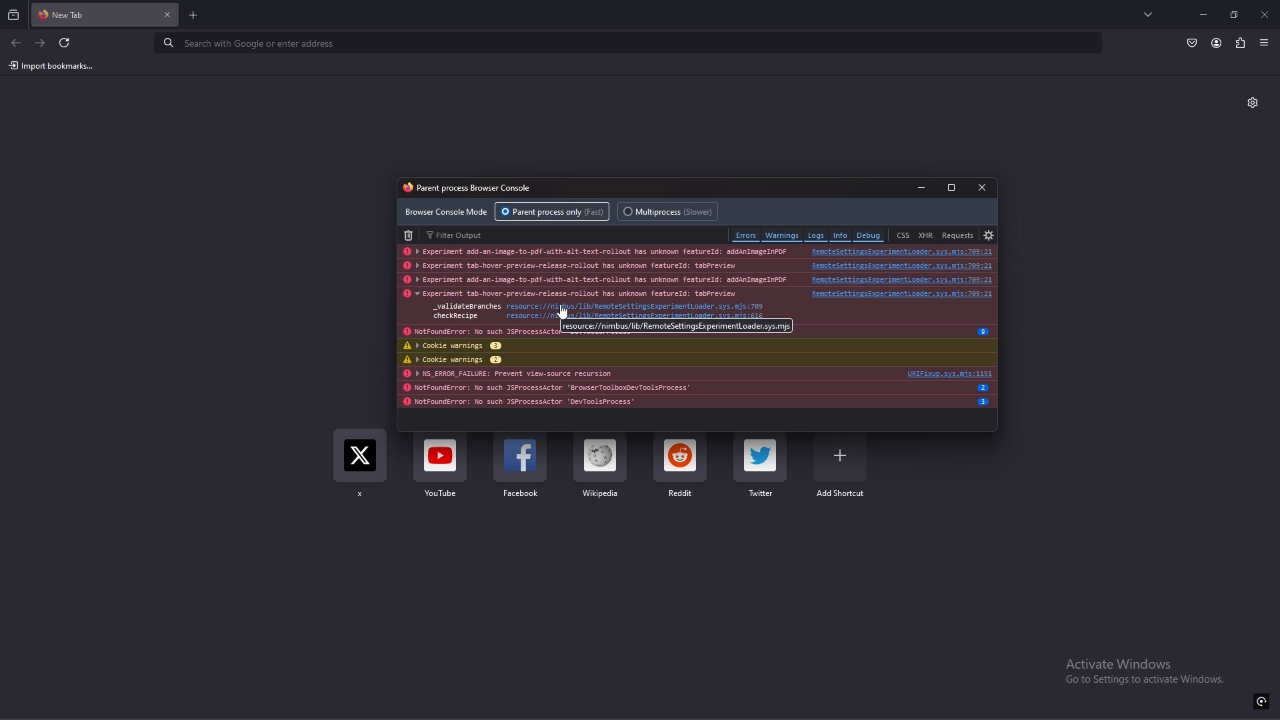  I want to click on customize, so click(1252, 102).